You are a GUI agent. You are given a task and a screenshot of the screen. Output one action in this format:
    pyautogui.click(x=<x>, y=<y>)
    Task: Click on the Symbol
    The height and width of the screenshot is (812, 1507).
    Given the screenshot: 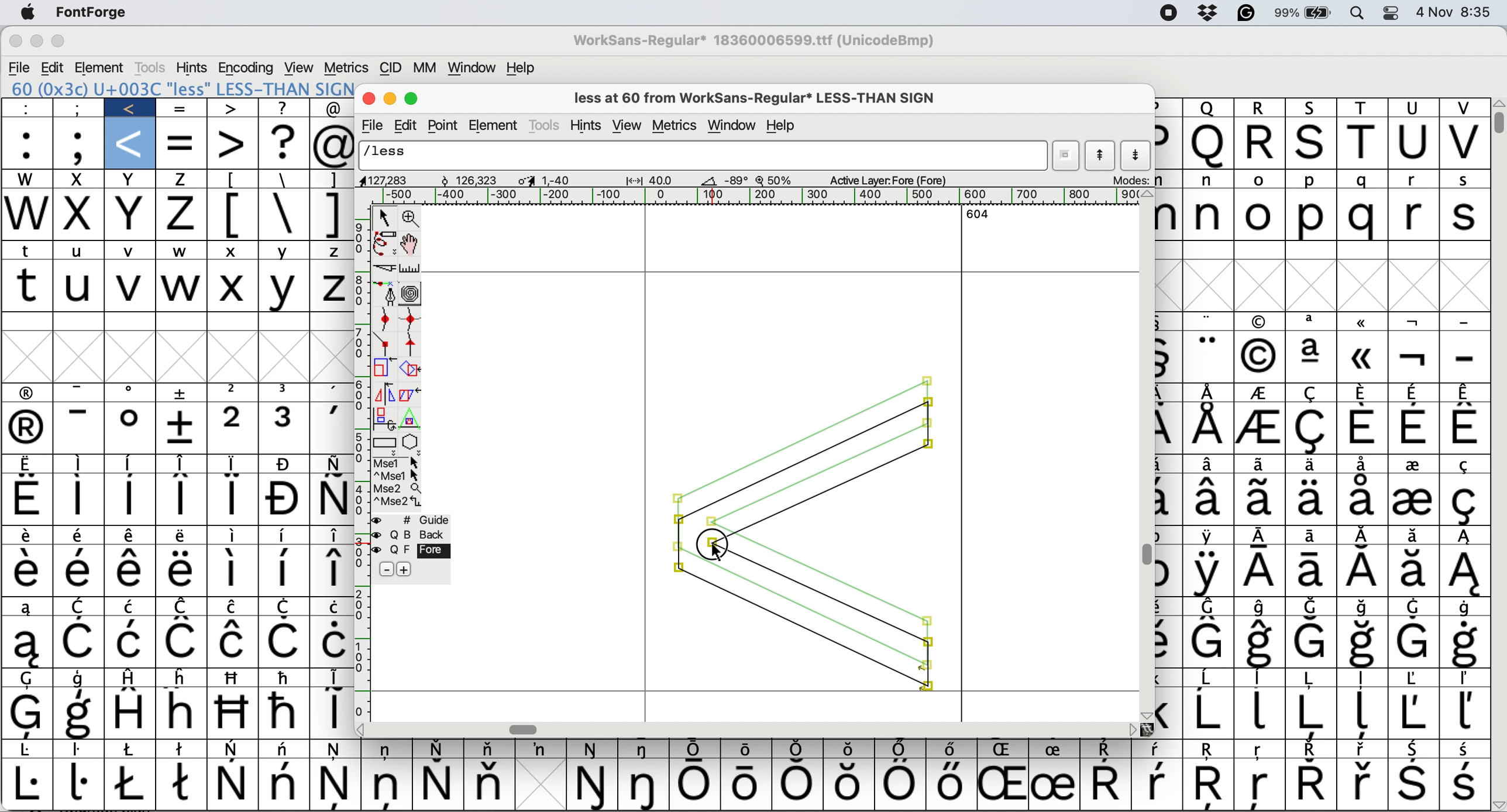 What is the action you would take?
    pyautogui.click(x=1464, y=749)
    